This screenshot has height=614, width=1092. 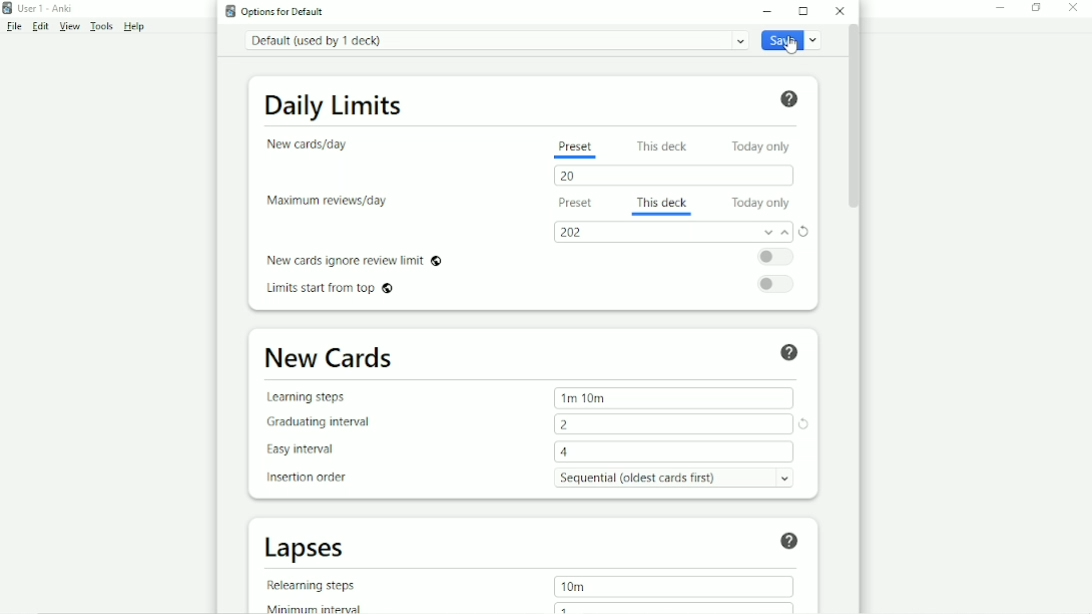 I want to click on New cards/day, so click(x=313, y=144).